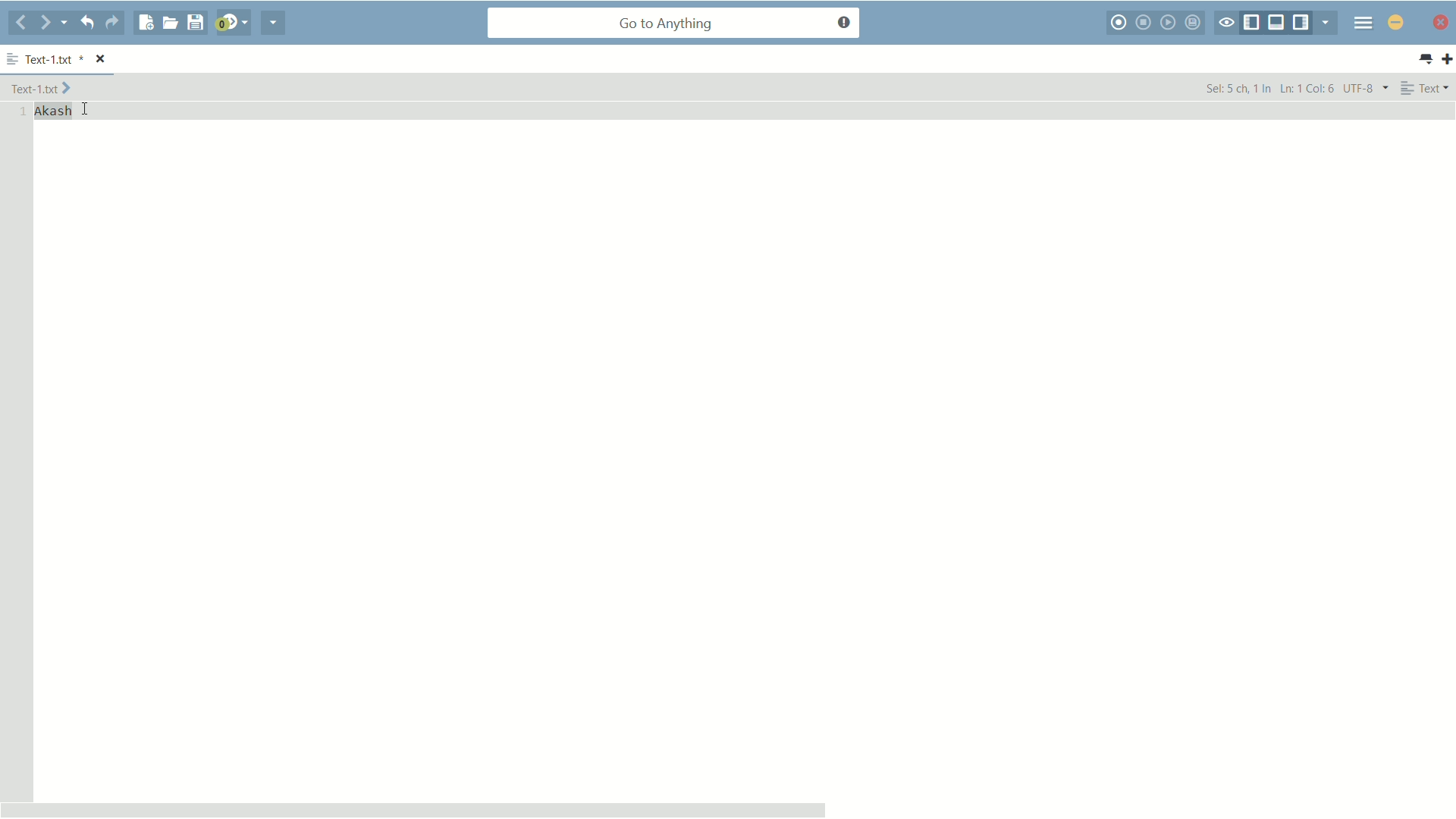  I want to click on stop macro, so click(1145, 22).